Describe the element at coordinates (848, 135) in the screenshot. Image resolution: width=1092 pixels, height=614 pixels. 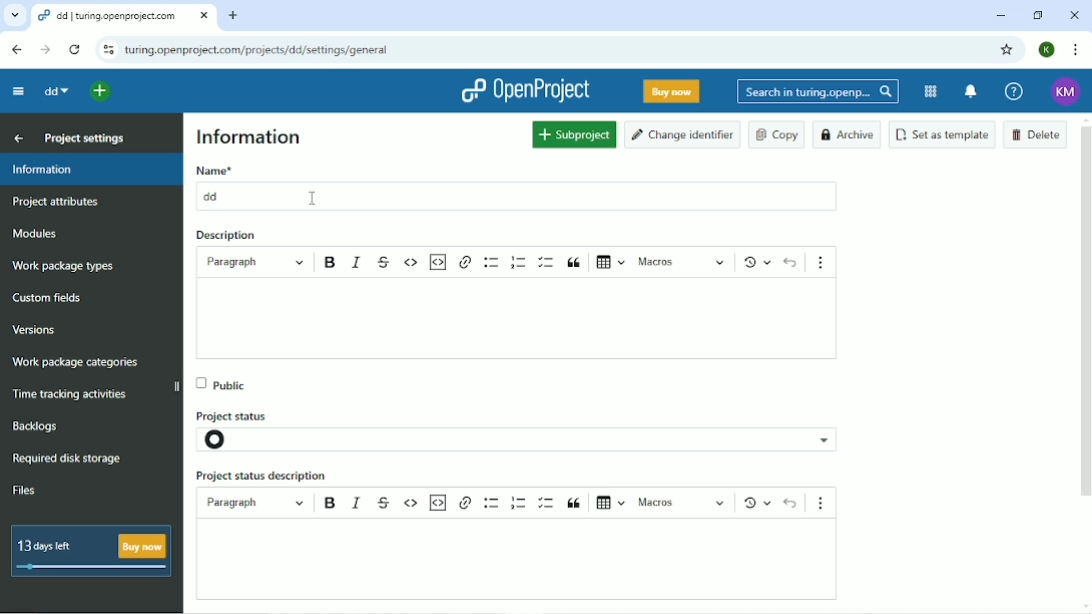
I see `Archive` at that location.